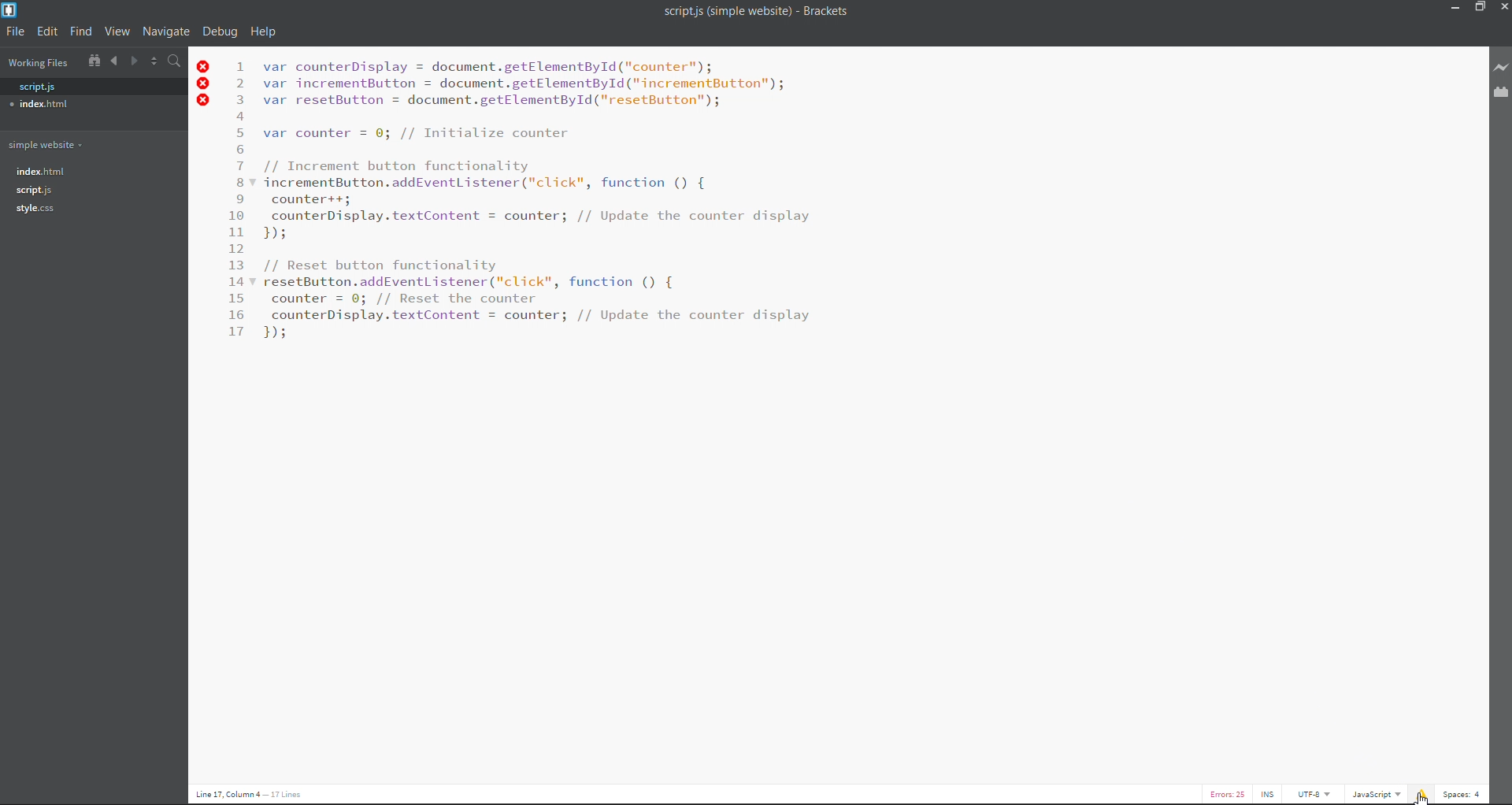 The image size is (1512, 805). What do you see at coordinates (220, 29) in the screenshot?
I see `debug` at bounding box center [220, 29].